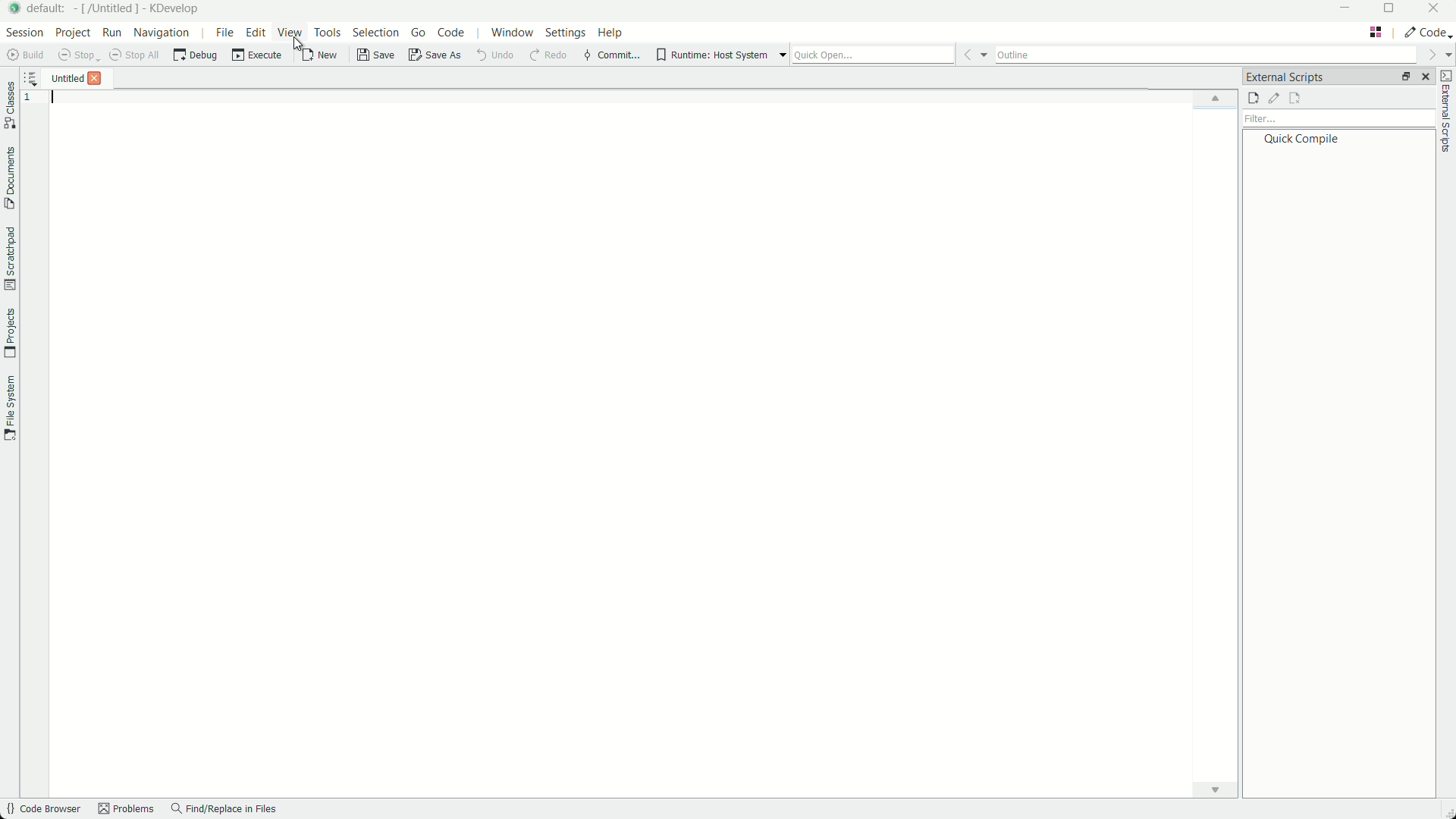 This screenshot has height=819, width=1456. What do you see at coordinates (9, 331) in the screenshot?
I see `projects` at bounding box center [9, 331].